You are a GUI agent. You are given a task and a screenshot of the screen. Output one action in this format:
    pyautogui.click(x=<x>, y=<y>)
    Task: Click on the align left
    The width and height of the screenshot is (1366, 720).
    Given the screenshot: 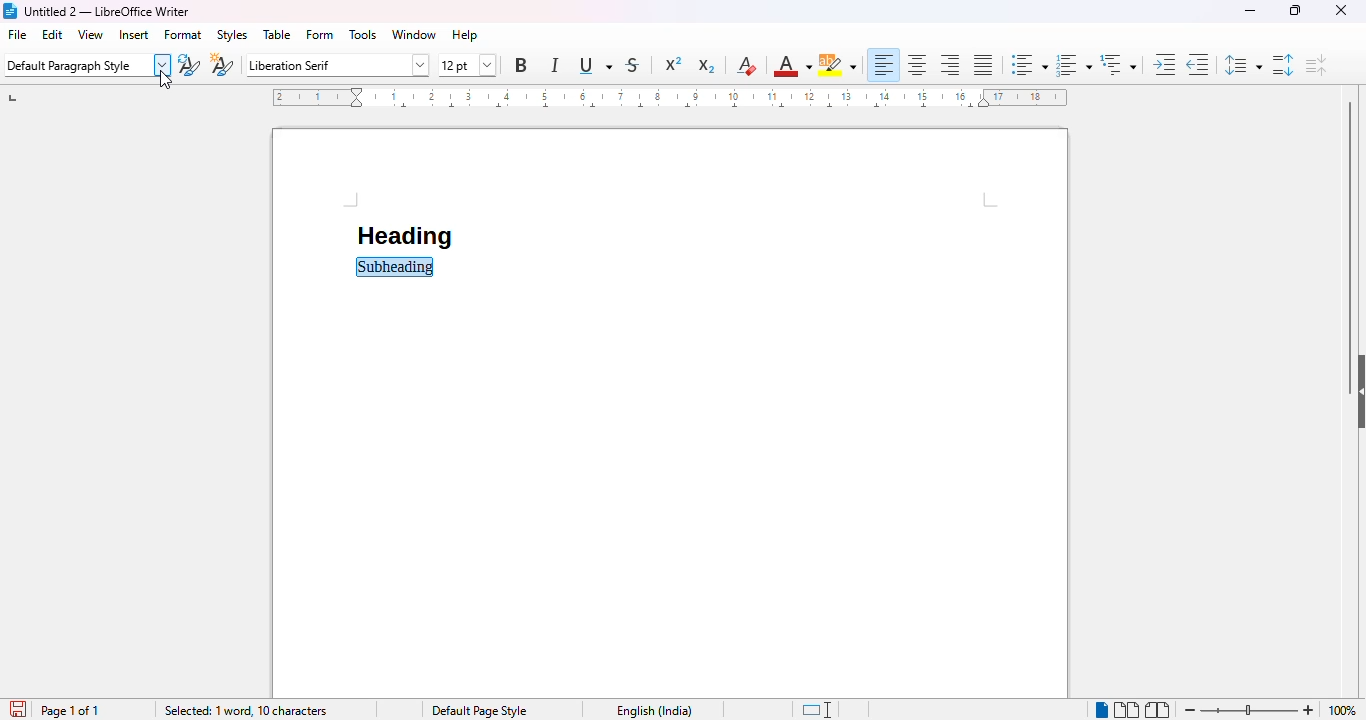 What is the action you would take?
    pyautogui.click(x=884, y=65)
    